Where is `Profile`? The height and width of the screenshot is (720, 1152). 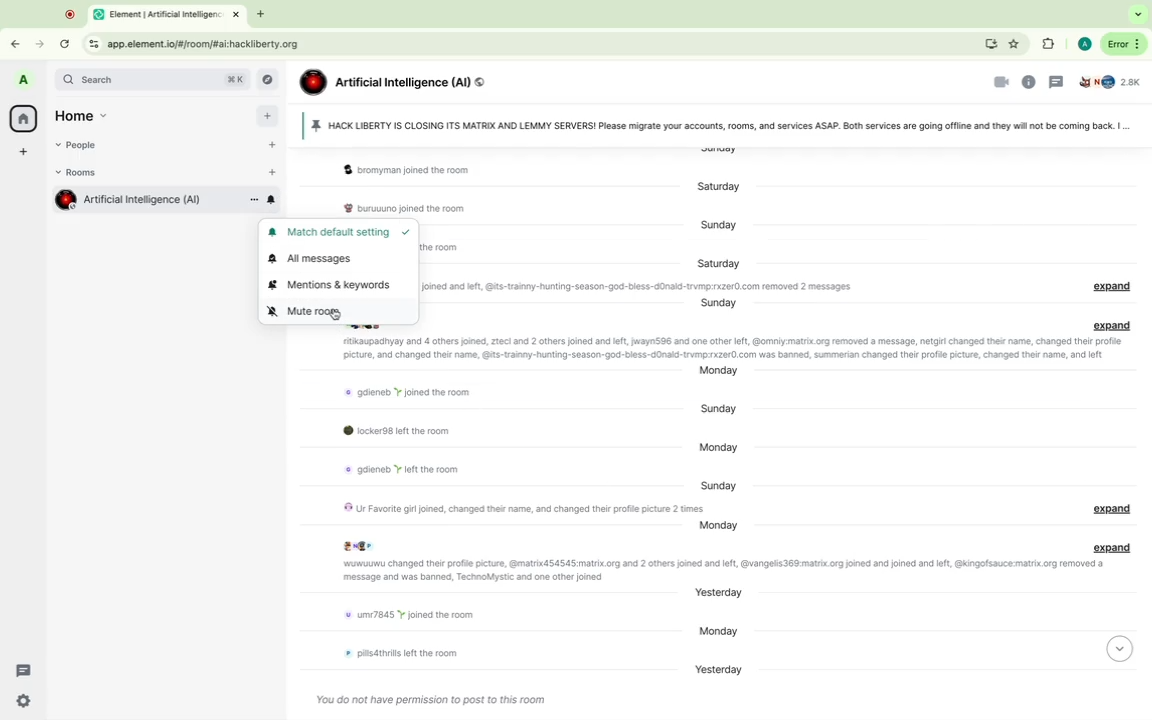
Profile is located at coordinates (25, 82).